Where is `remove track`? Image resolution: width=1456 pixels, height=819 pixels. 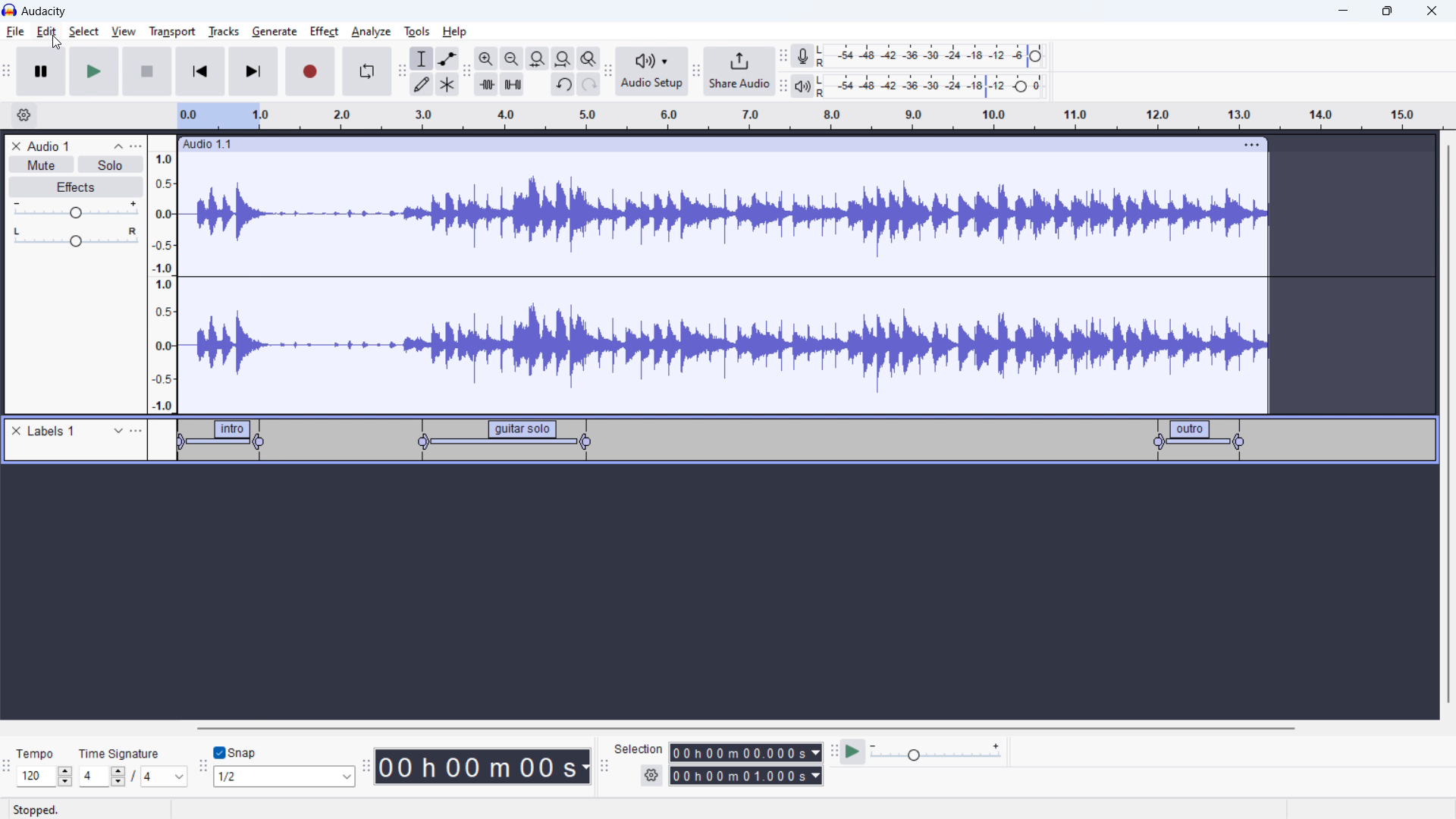 remove track is located at coordinates (16, 146).